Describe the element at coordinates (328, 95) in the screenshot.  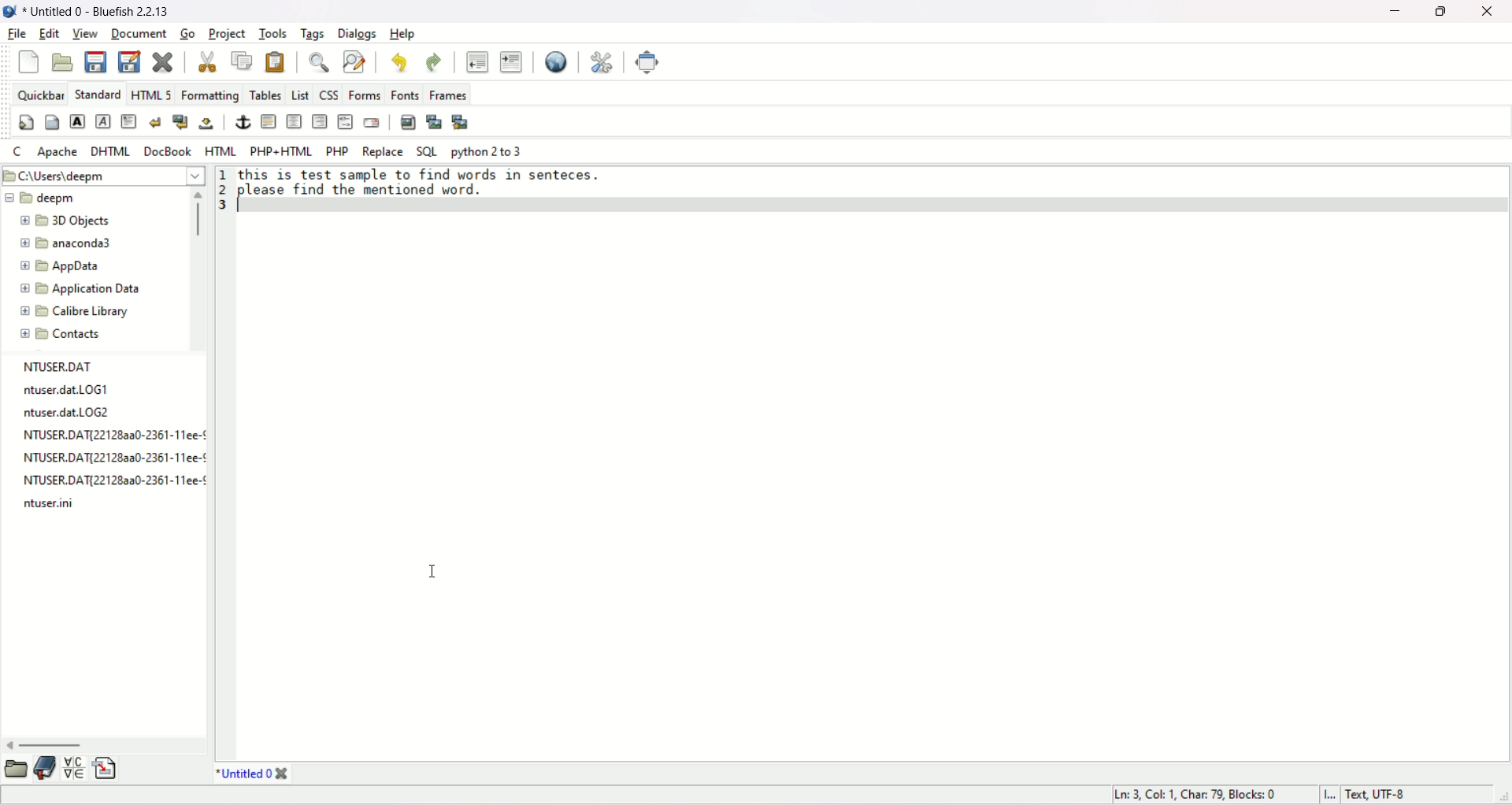
I see `CSS` at that location.